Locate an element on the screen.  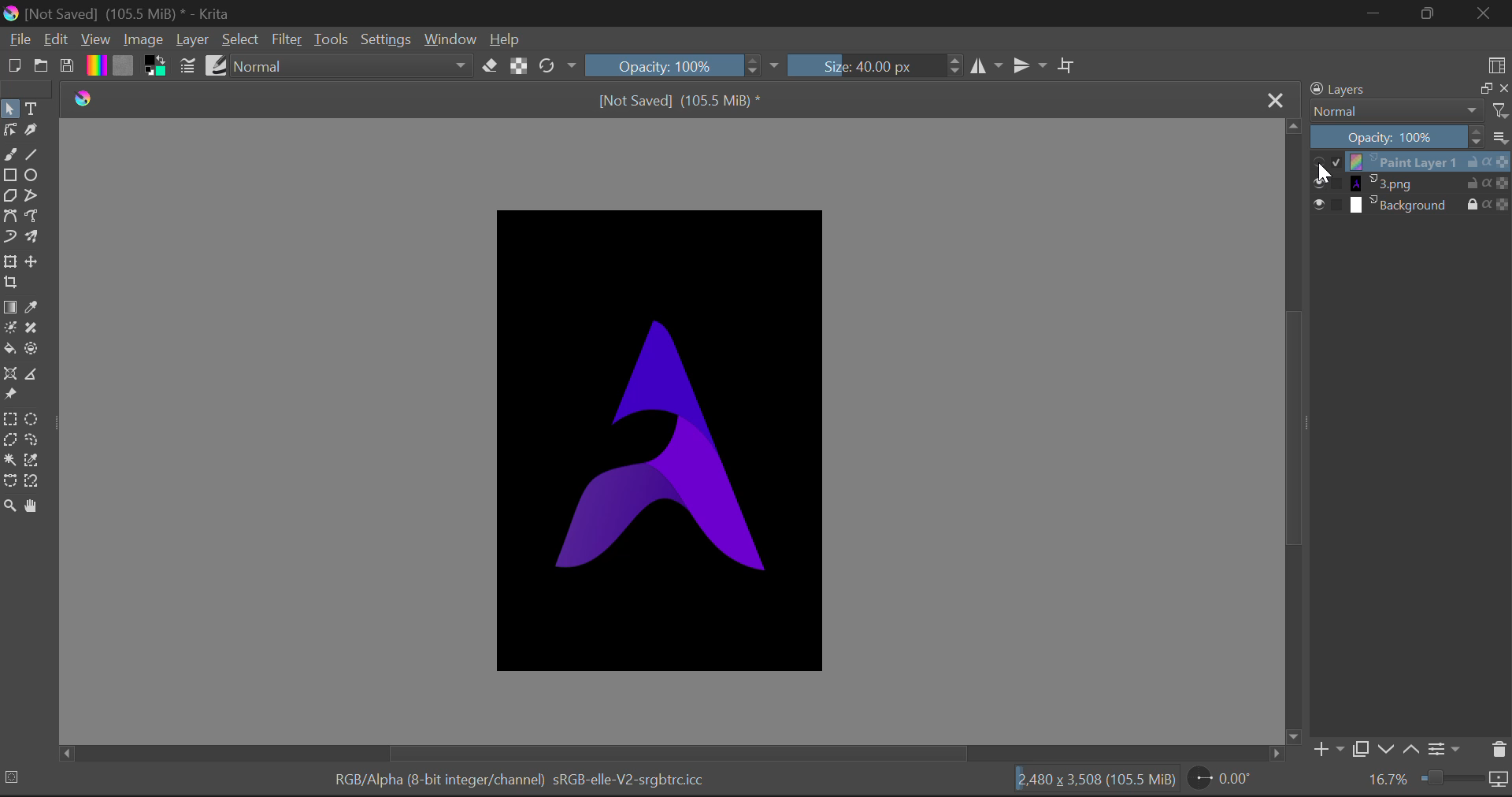
close layers is located at coordinates (1503, 89).